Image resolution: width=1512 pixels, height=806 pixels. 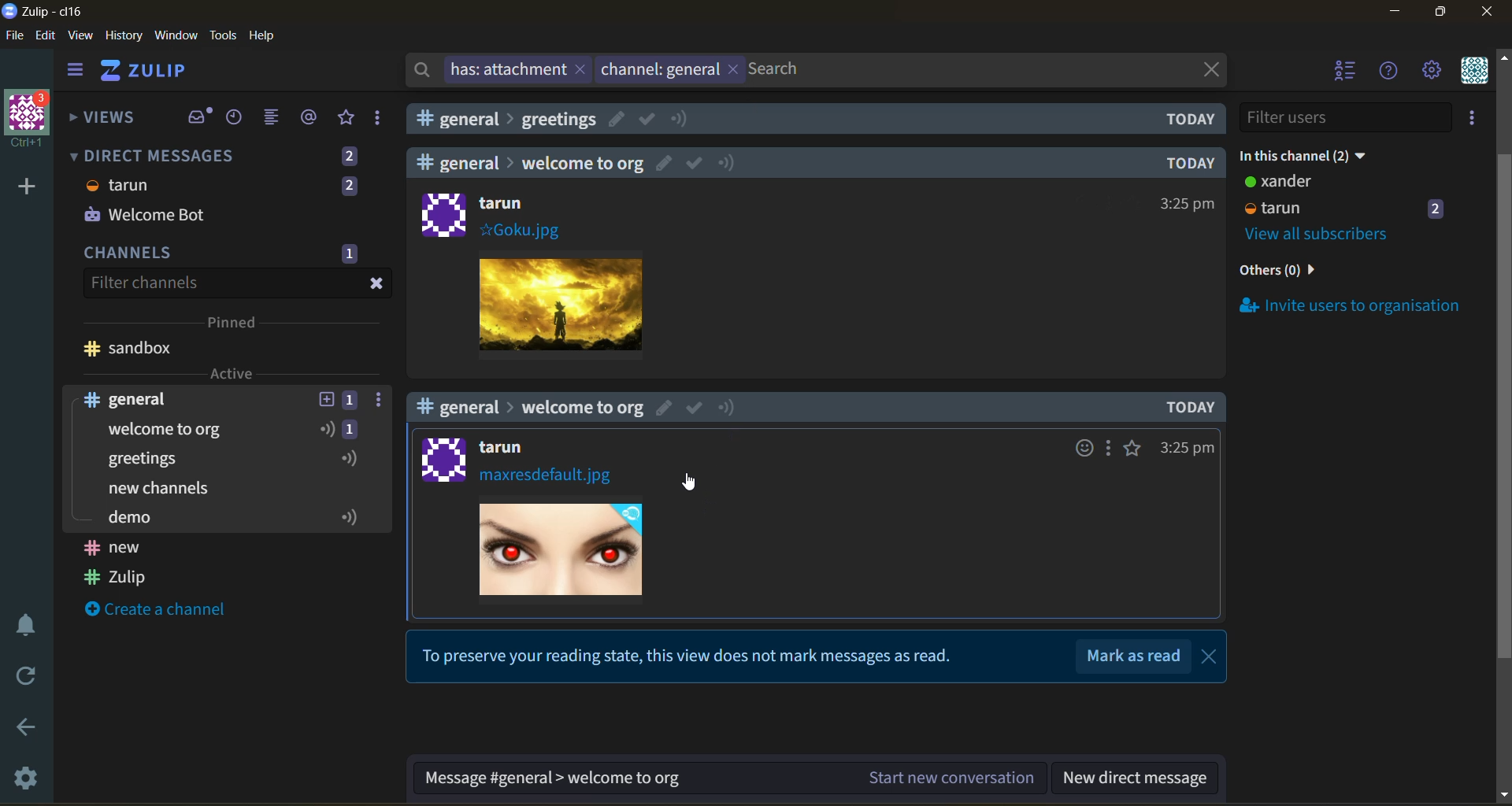 What do you see at coordinates (505, 201) in the screenshot?
I see `tarun` at bounding box center [505, 201].